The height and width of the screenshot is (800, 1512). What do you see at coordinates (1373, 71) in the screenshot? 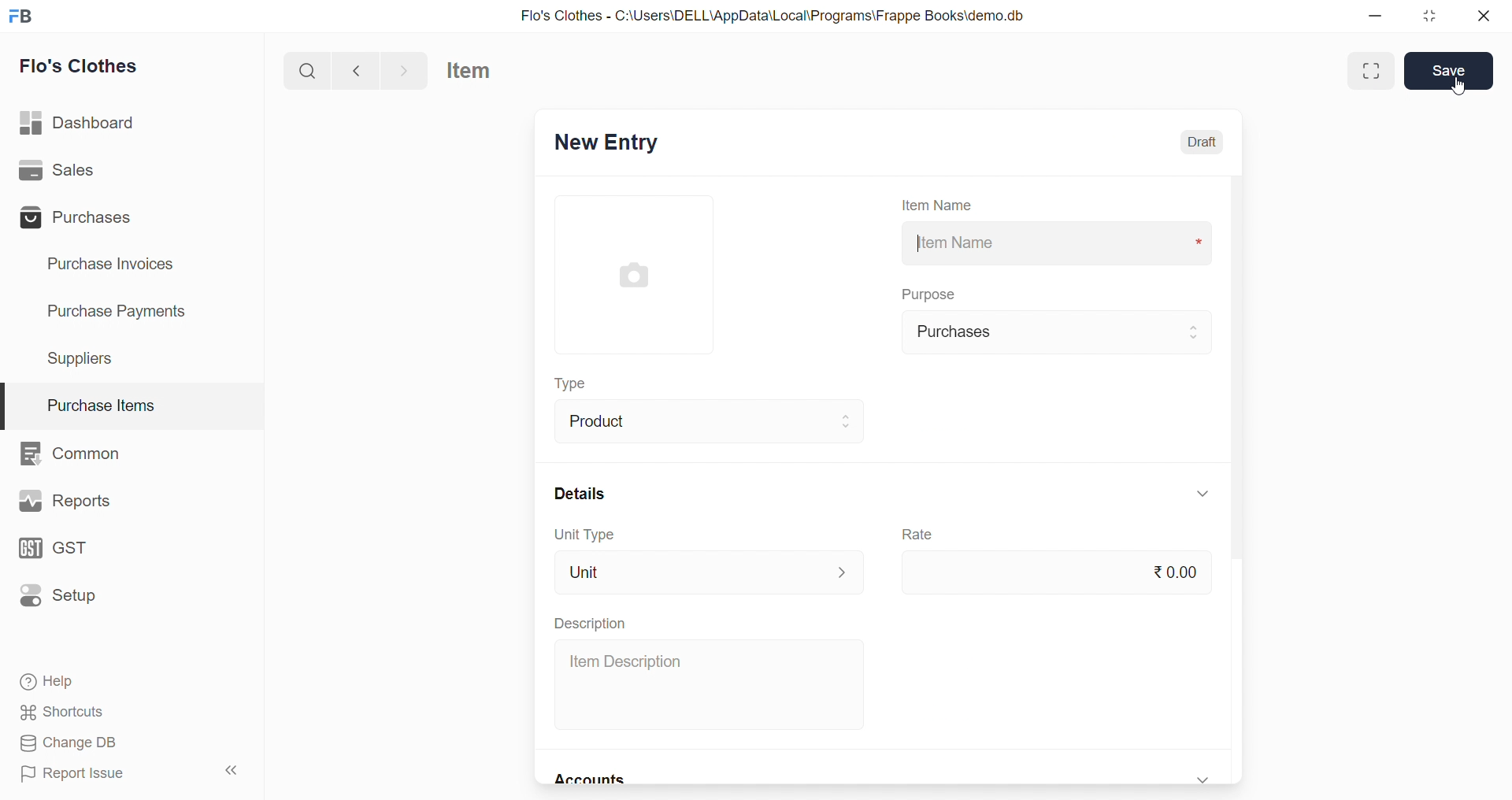
I see `Maximize window` at bounding box center [1373, 71].